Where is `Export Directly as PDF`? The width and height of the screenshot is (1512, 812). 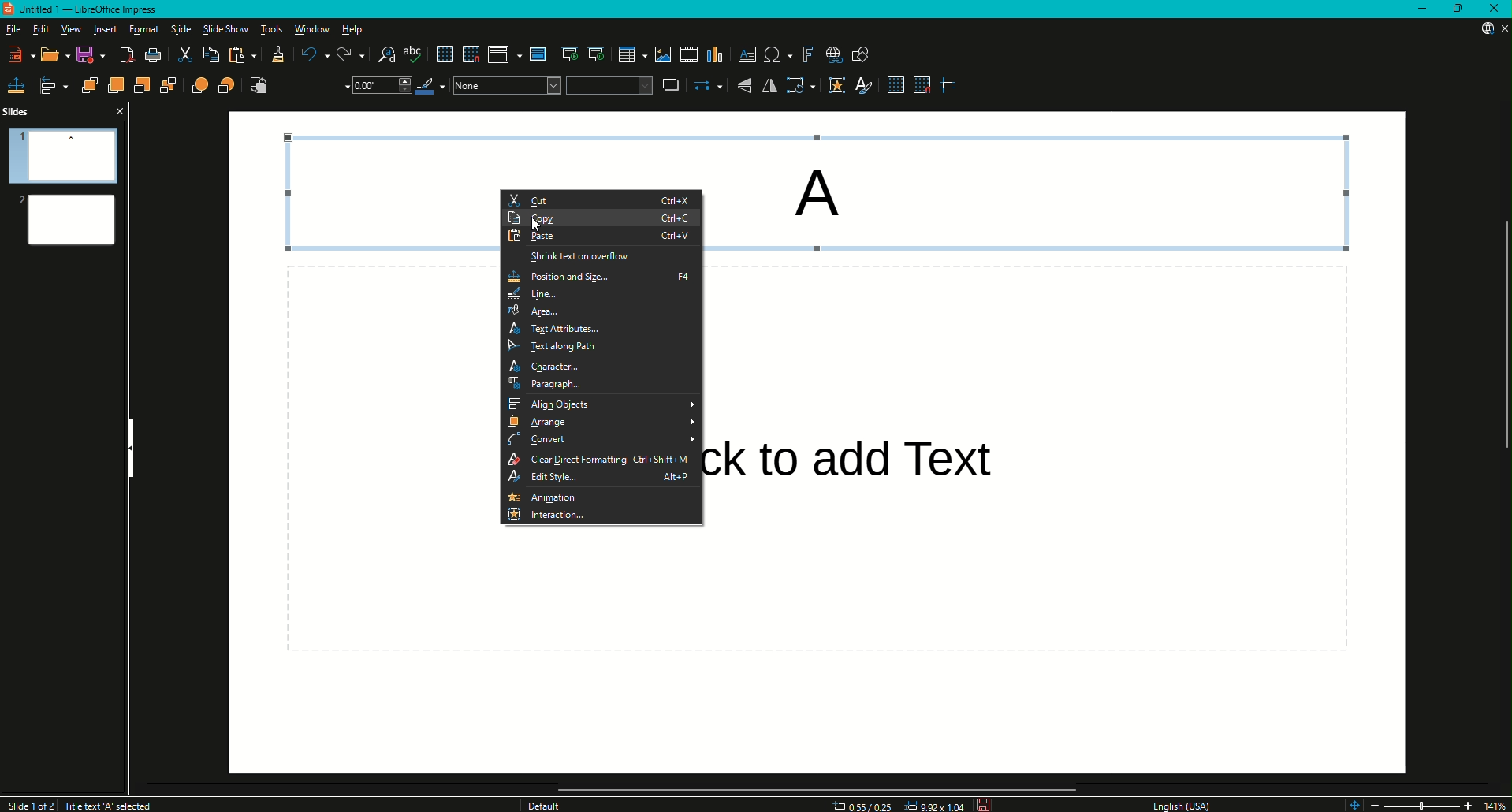 Export Directly as PDF is located at coordinates (126, 55).